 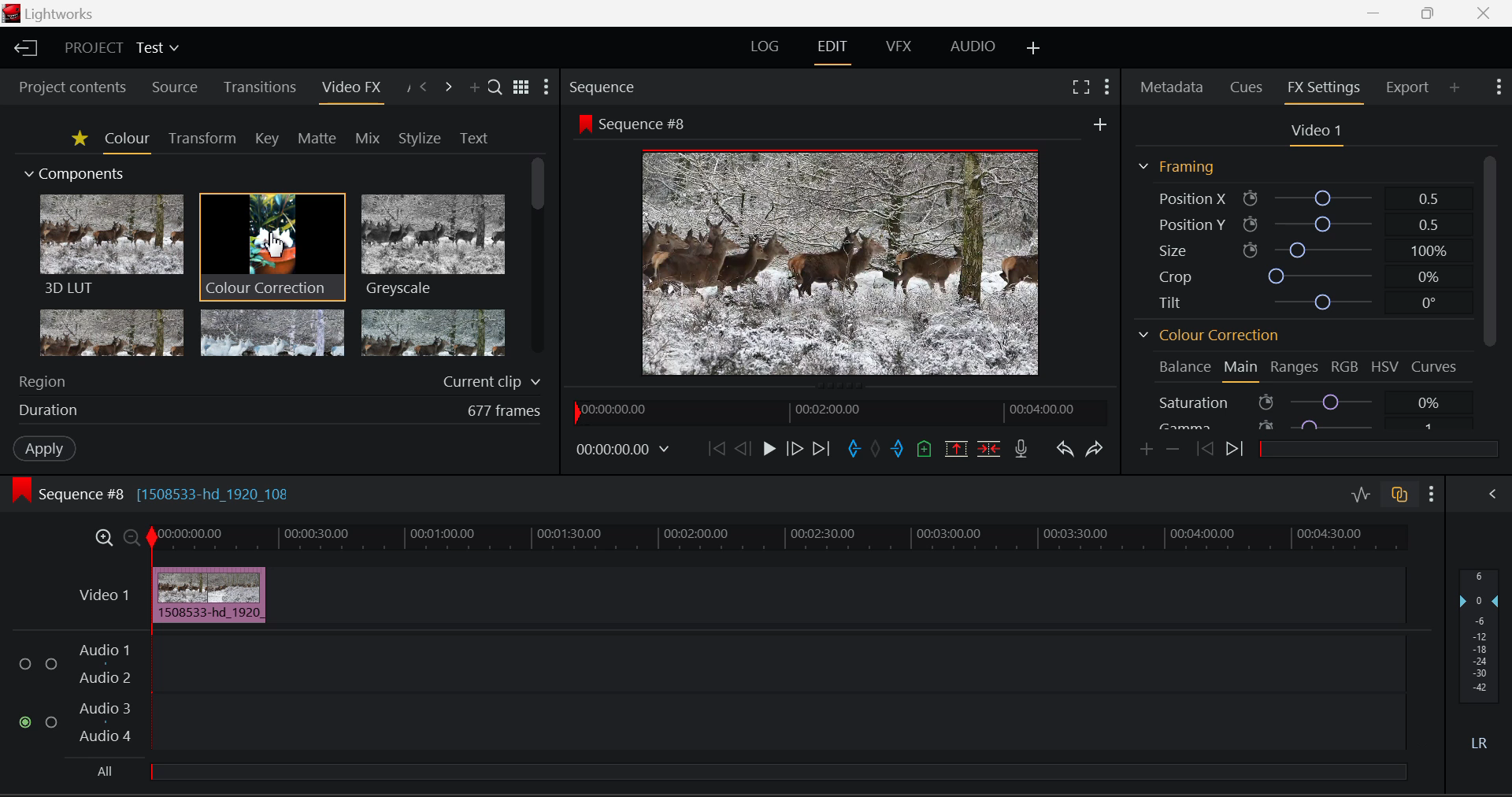 I want to click on Balance, so click(x=1184, y=366).